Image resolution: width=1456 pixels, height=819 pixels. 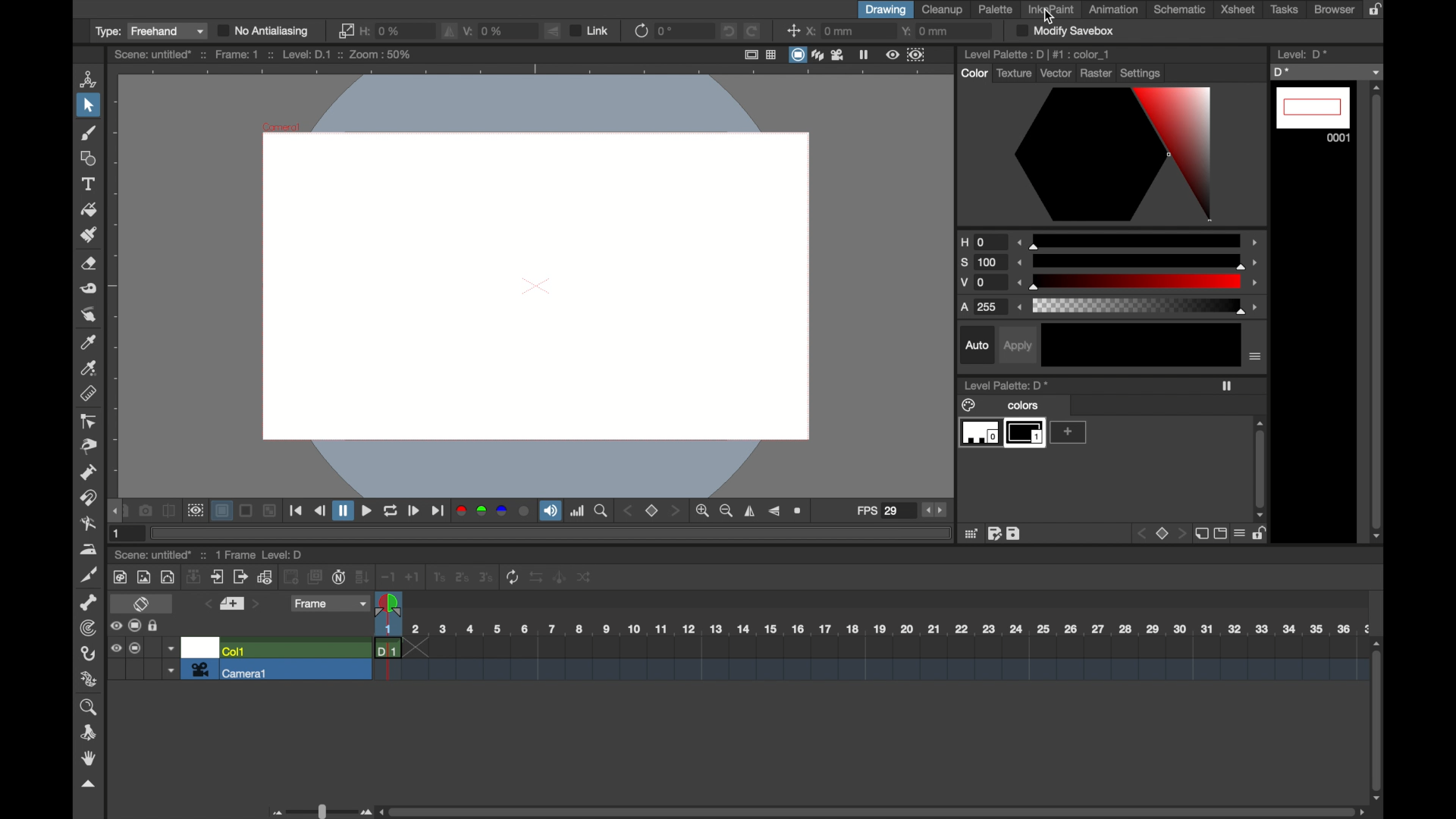 What do you see at coordinates (194, 577) in the screenshot?
I see `down` at bounding box center [194, 577].